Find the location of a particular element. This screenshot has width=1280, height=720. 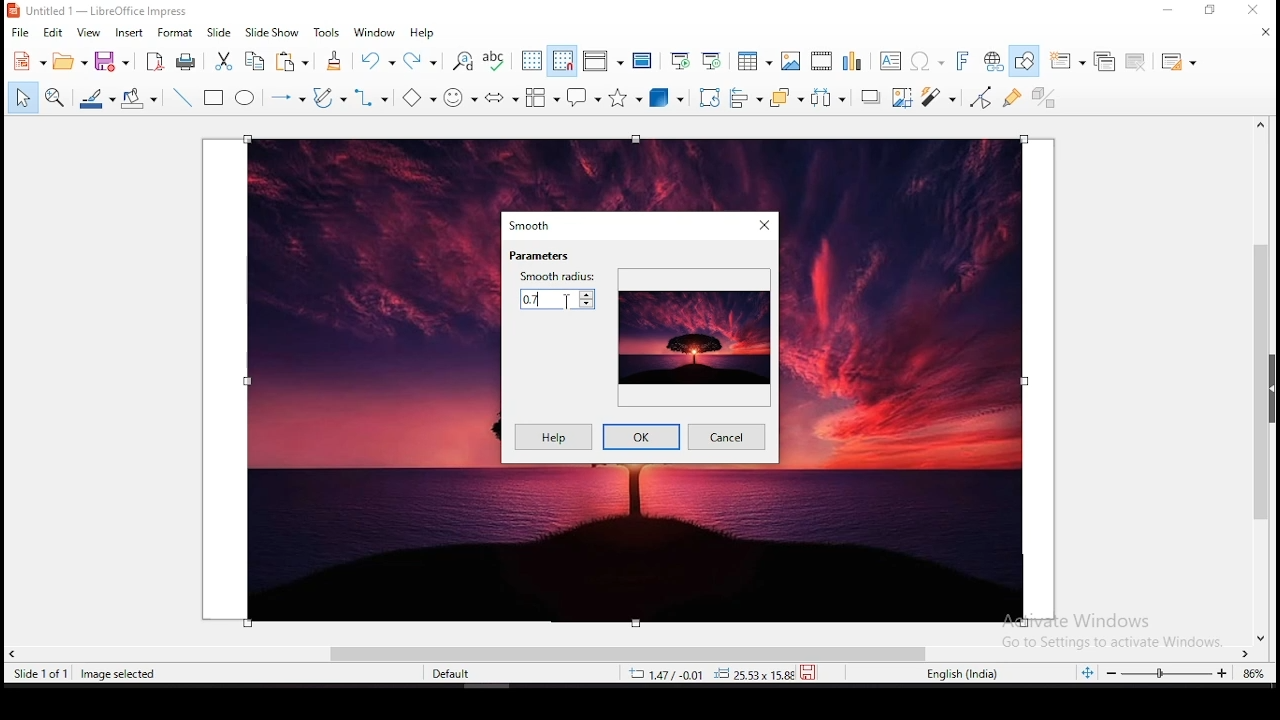

lines and arrows is located at coordinates (285, 97).